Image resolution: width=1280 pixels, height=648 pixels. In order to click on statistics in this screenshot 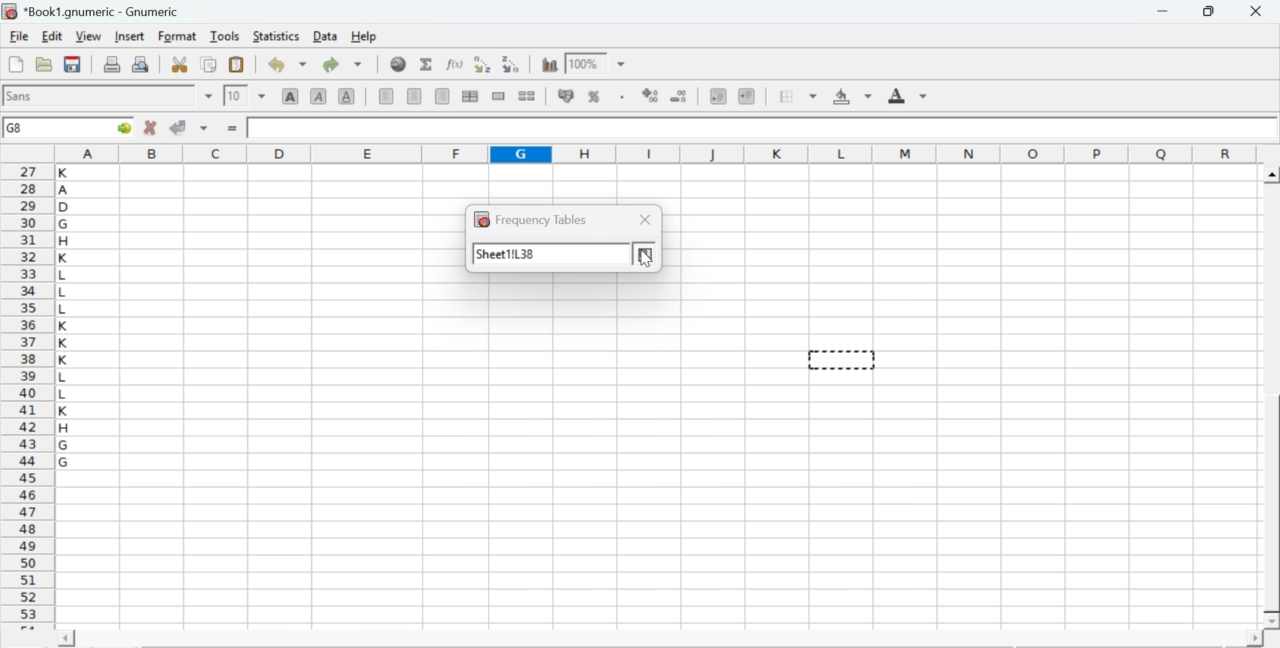, I will do `click(274, 36)`.